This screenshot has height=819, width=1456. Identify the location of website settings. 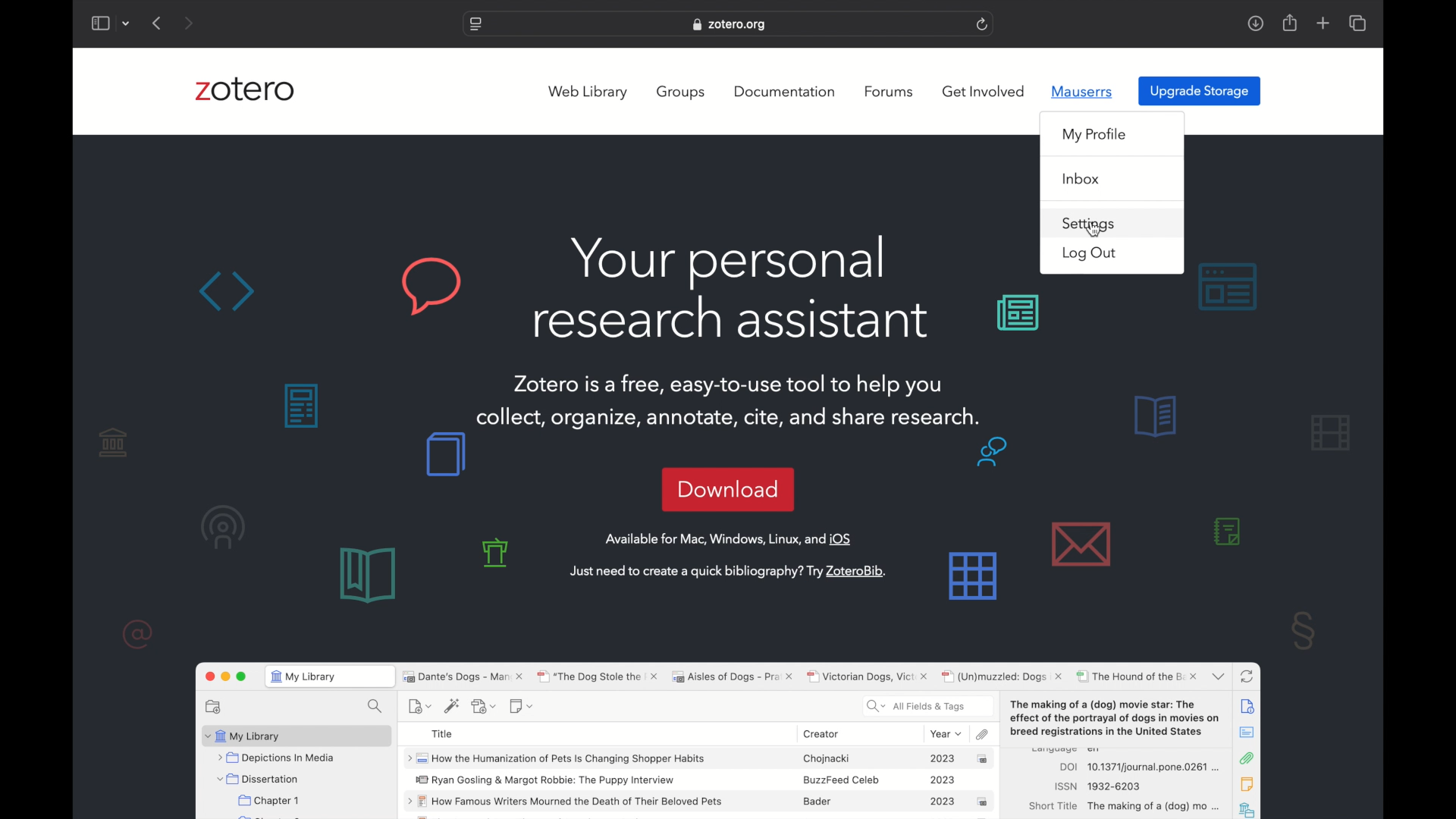
(475, 25).